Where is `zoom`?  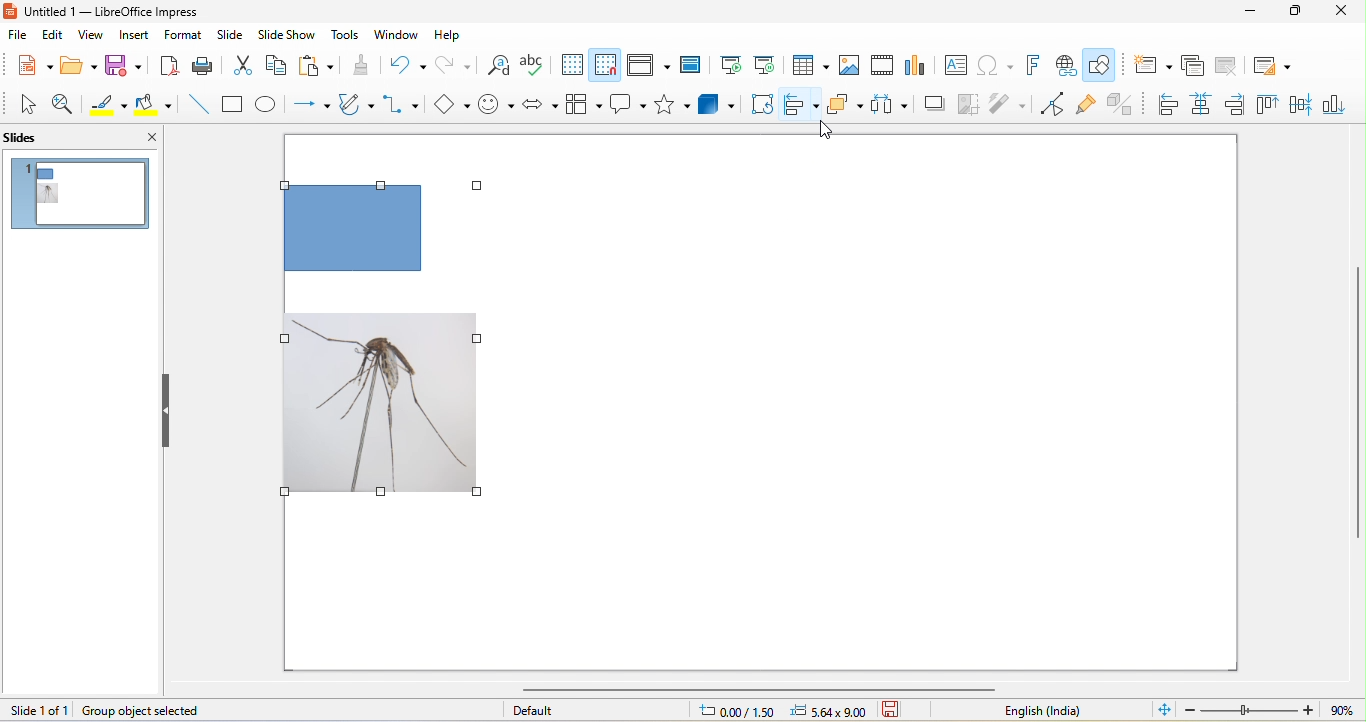 zoom is located at coordinates (1270, 709).